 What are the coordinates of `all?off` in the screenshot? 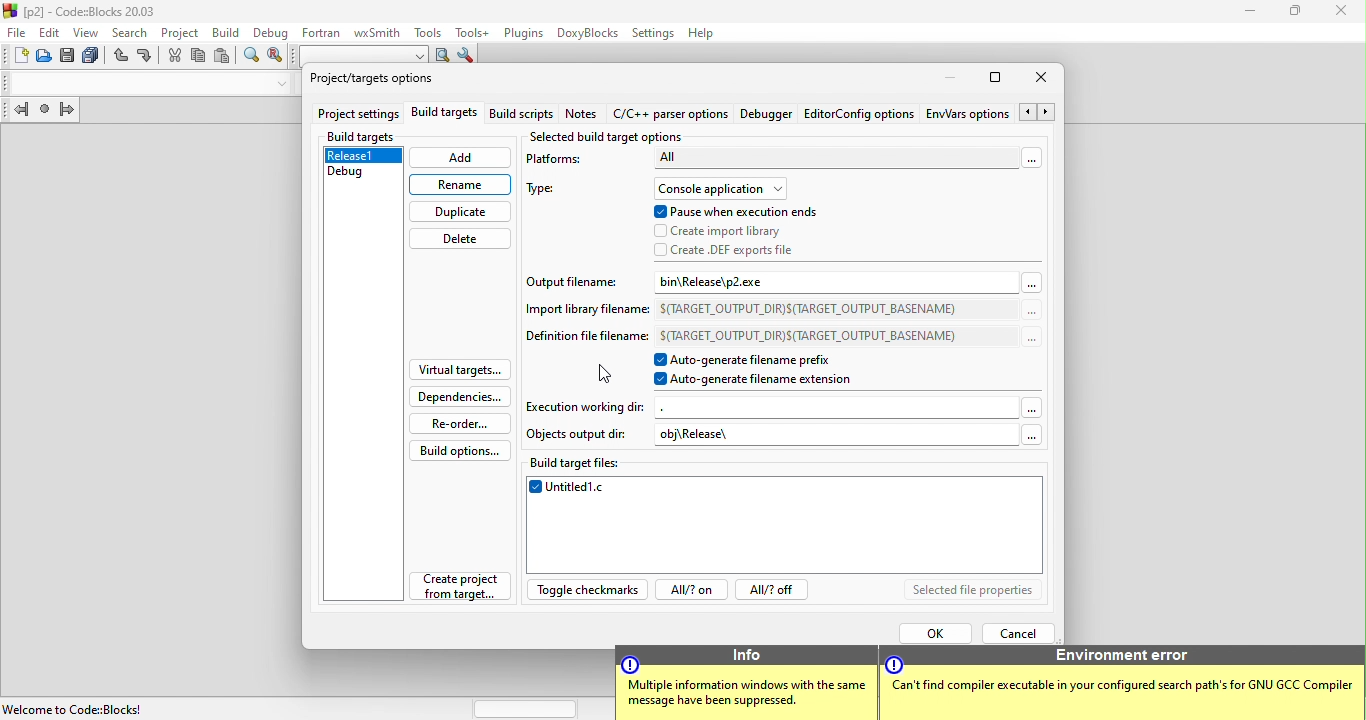 It's located at (776, 591).